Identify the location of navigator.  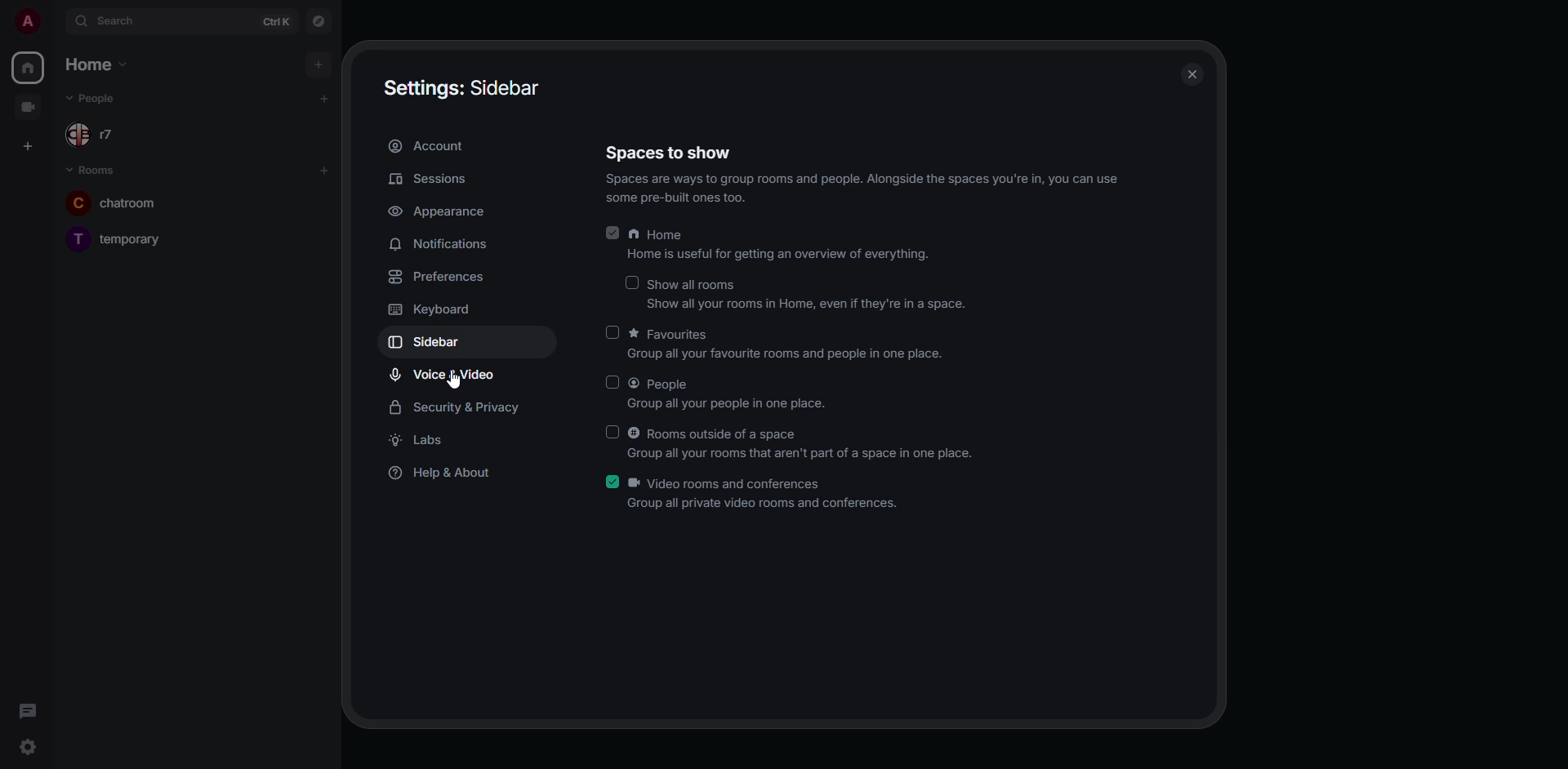
(319, 21).